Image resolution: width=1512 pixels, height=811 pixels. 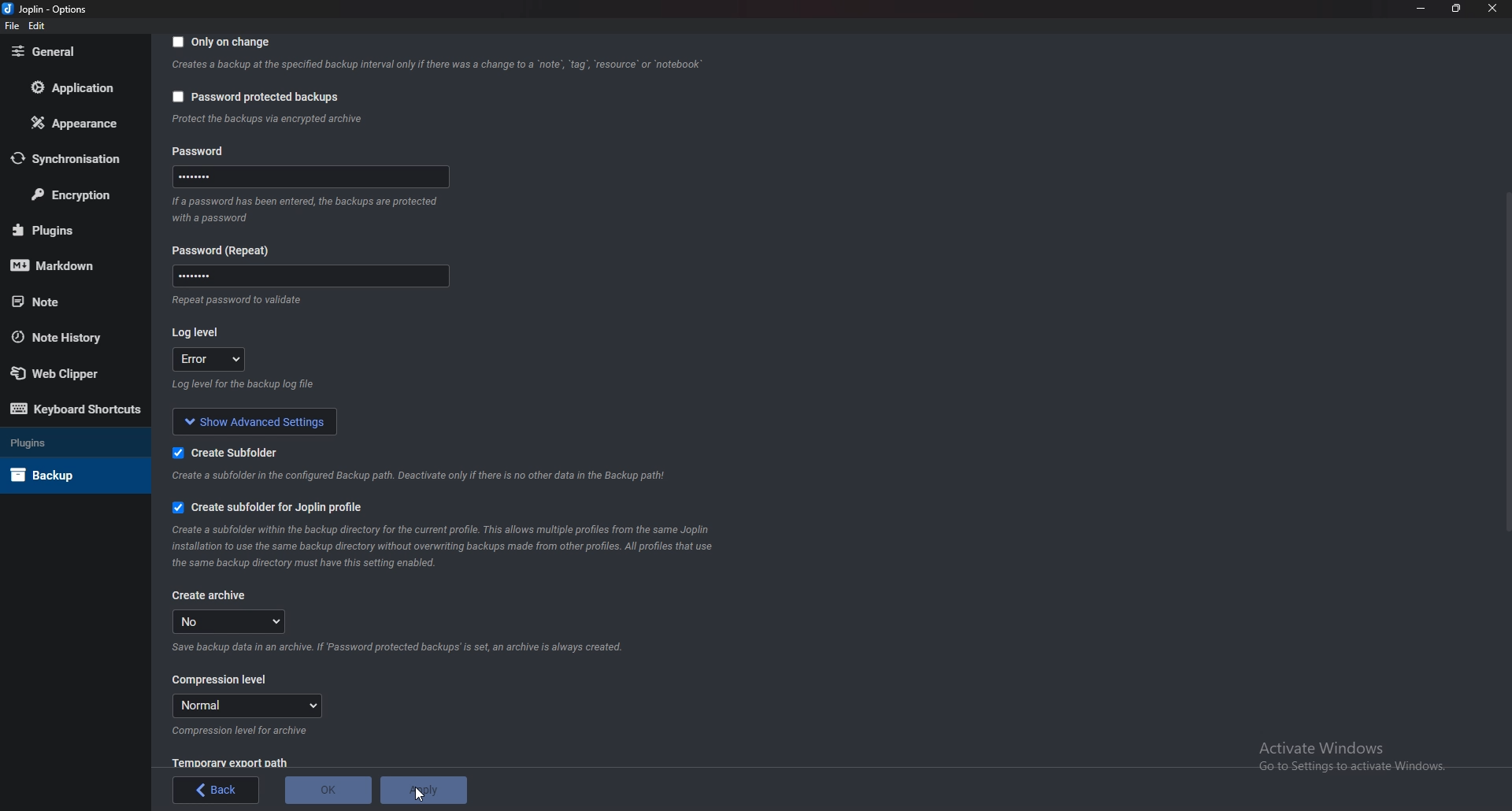 What do you see at coordinates (222, 150) in the screenshot?
I see `Password` at bounding box center [222, 150].